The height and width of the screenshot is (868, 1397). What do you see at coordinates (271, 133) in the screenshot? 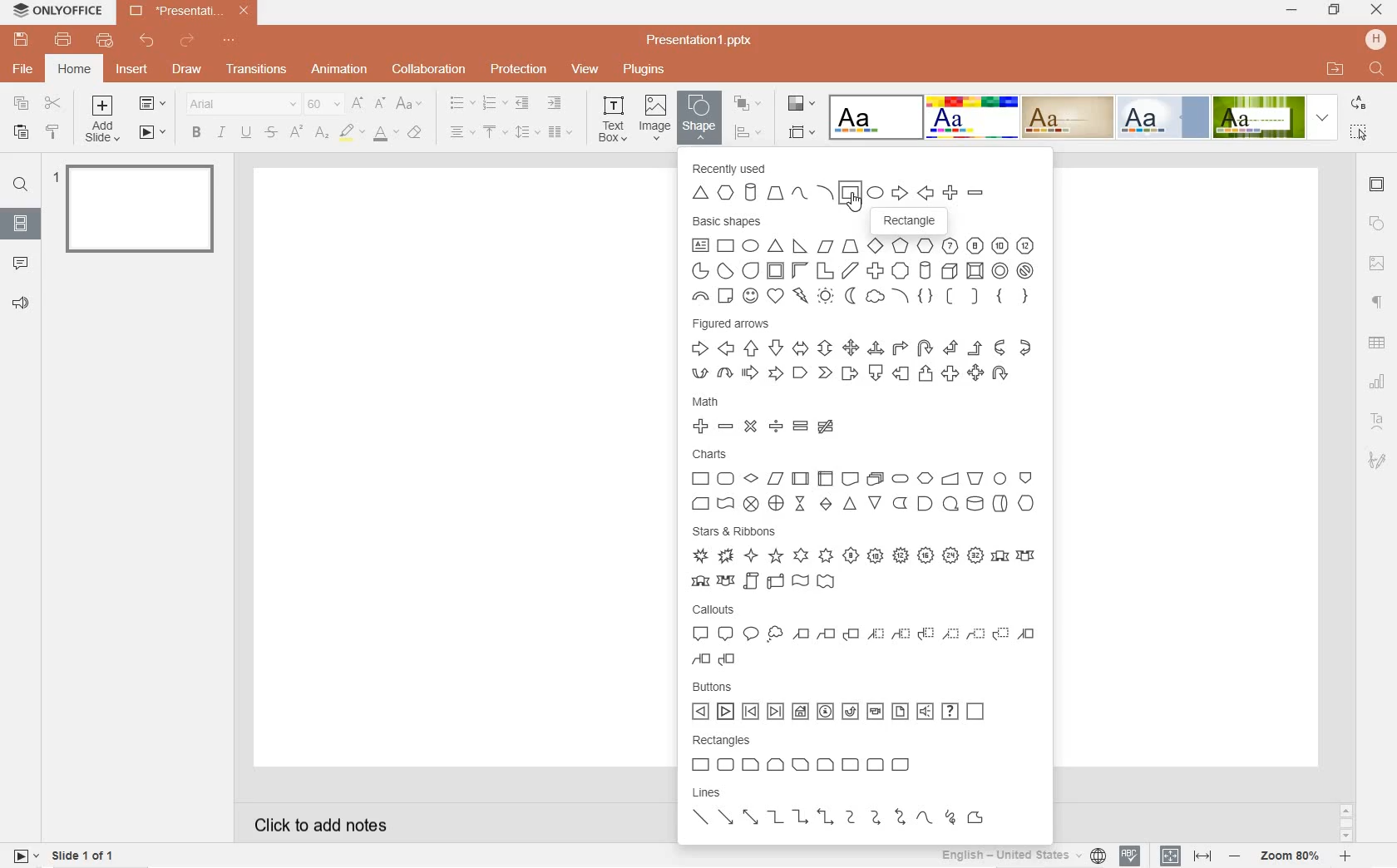
I see `strikethrough` at bounding box center [271, 133].